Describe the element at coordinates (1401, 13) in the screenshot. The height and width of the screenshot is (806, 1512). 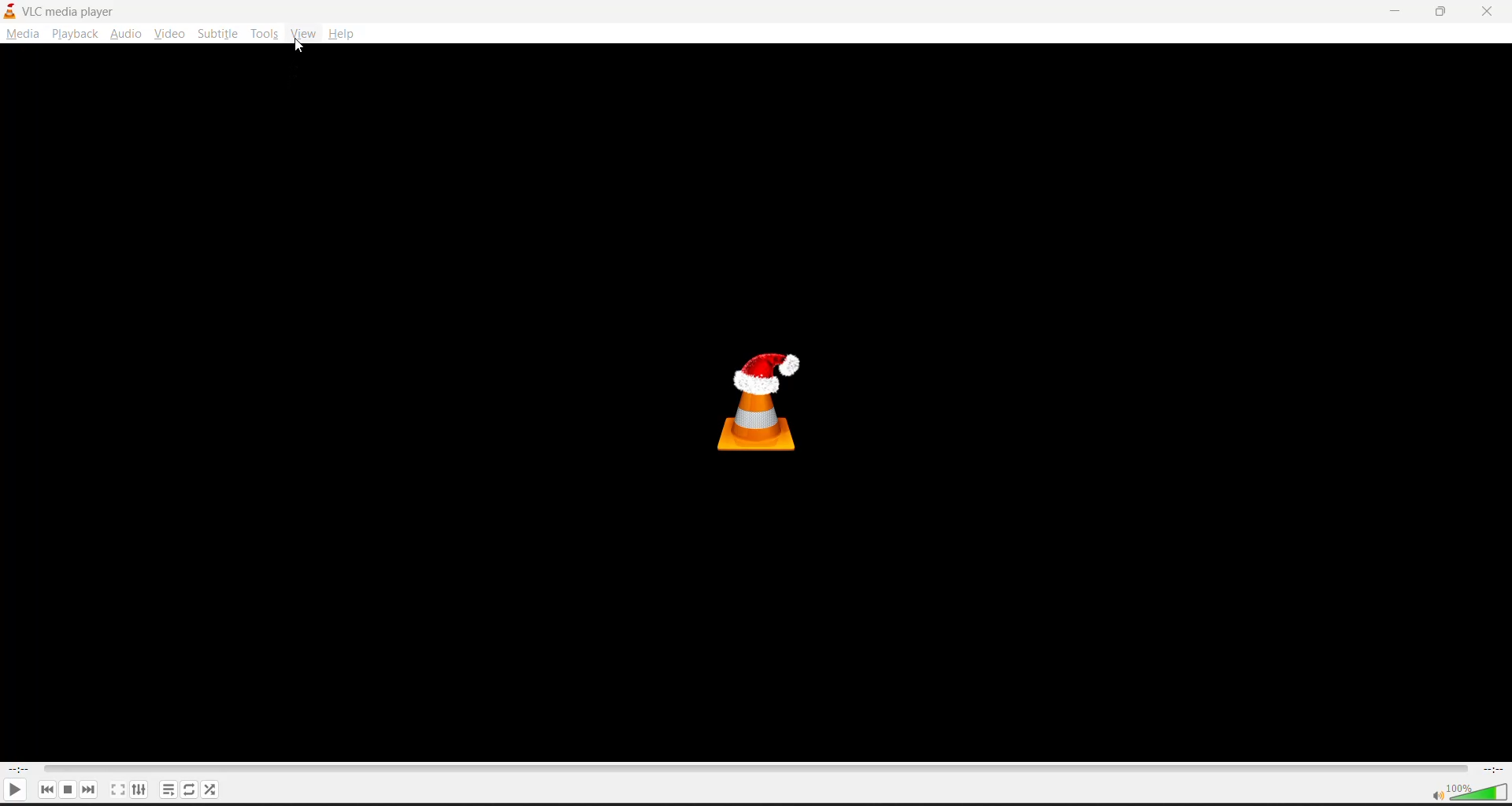
I see `minimize` at that location.